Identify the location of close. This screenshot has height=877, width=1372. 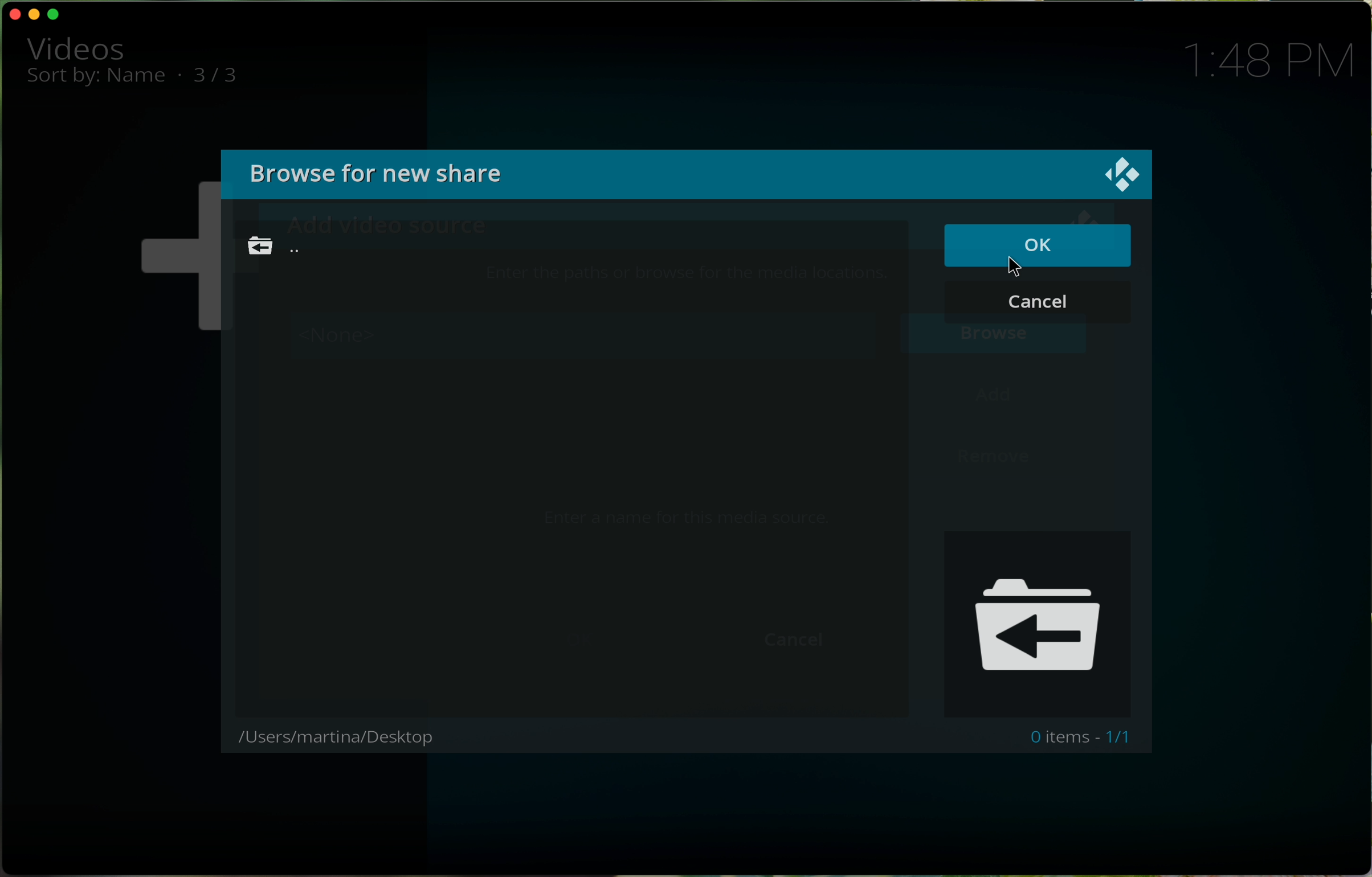
(12, 14).